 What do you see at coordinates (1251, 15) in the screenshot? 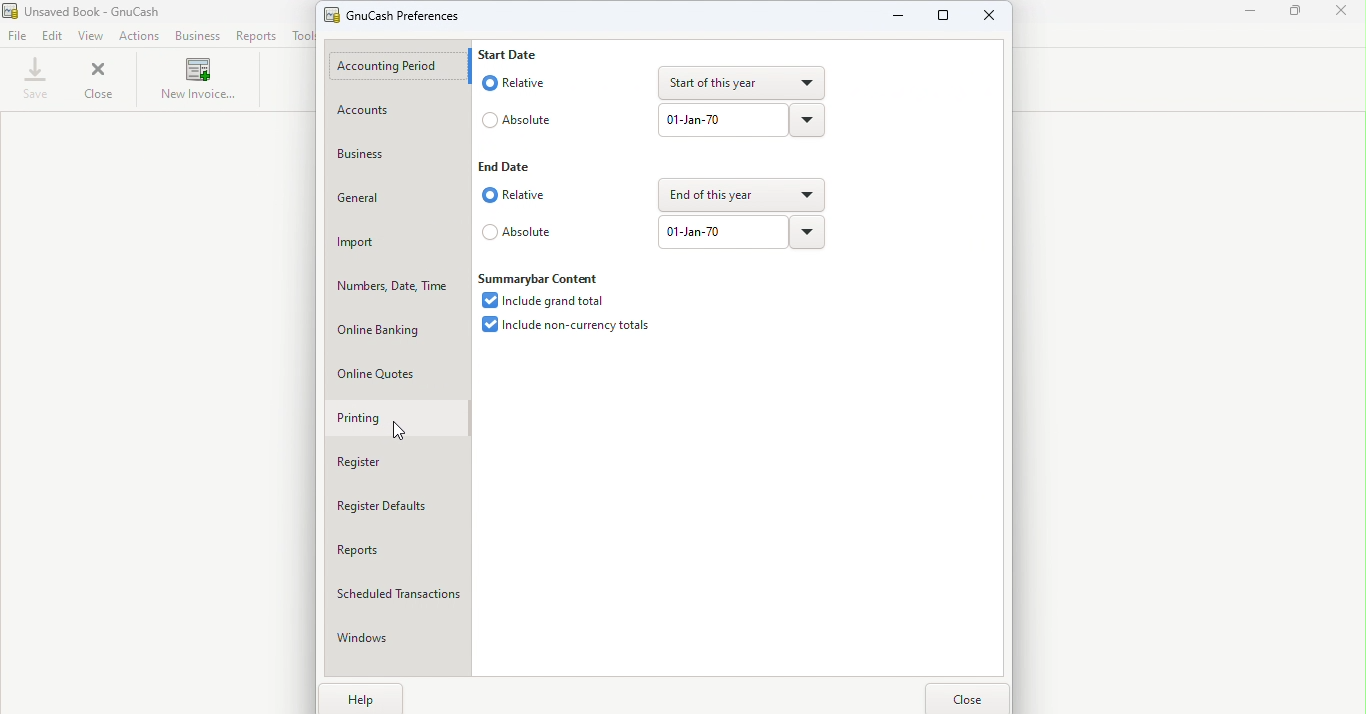
I see `Minimize` at bounding box center [1251, 15].